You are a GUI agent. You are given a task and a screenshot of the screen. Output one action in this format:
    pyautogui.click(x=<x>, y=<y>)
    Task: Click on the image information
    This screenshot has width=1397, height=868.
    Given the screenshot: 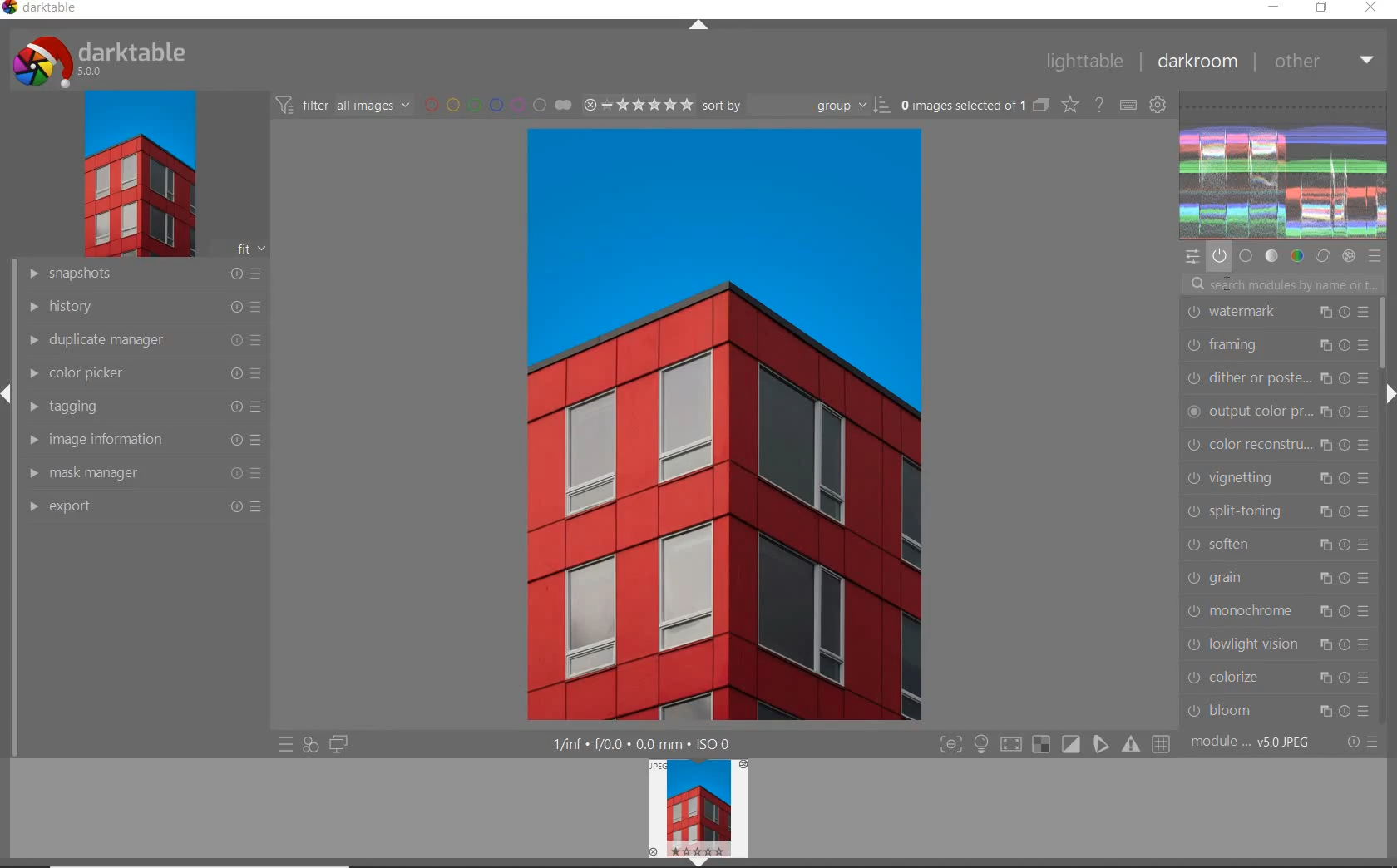 What is the action you would take?
    pyautogui.click(x=143, y=440)
    